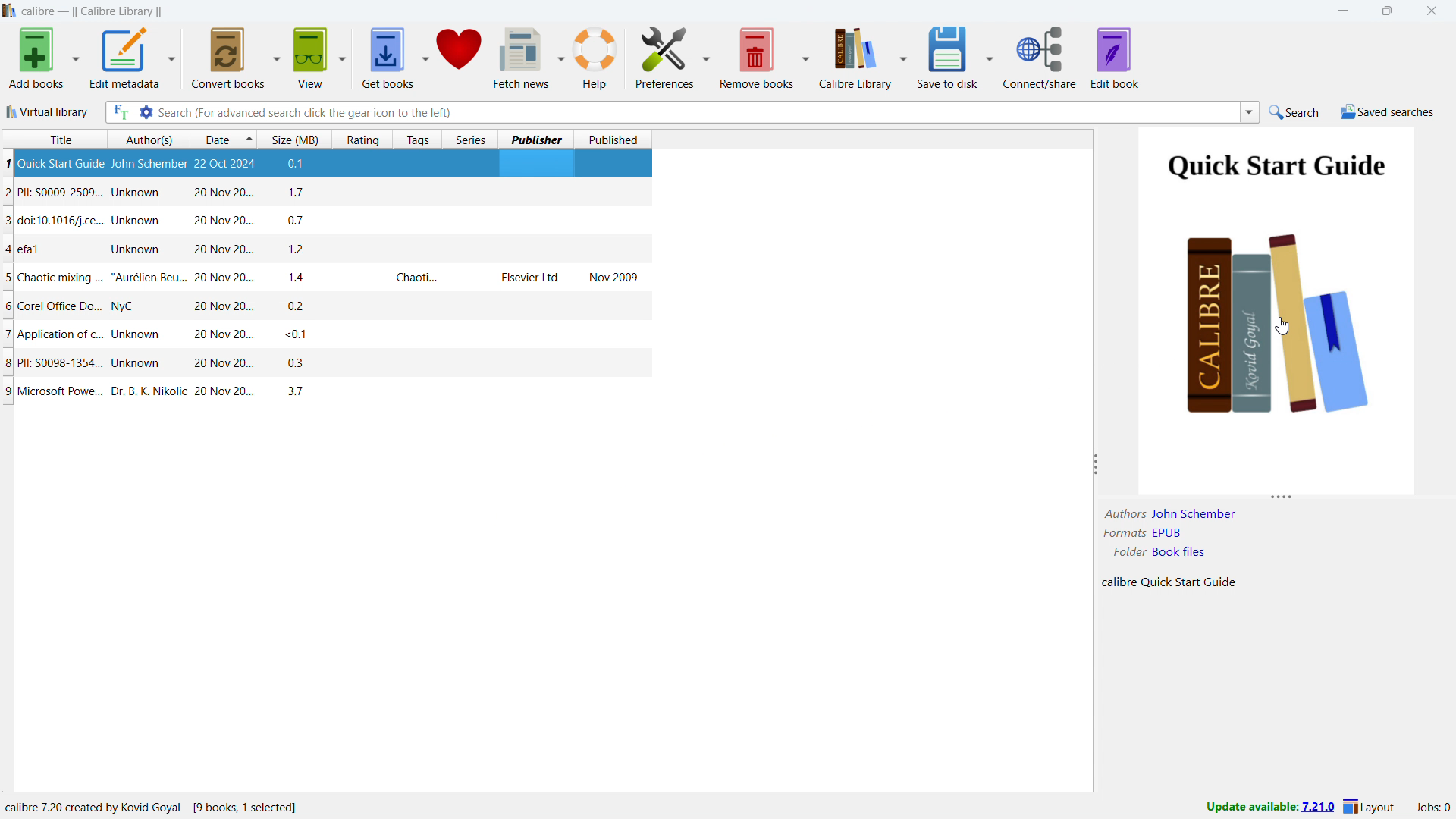  Describe the element at coordinates (276, 57) in the screenshot. I see `convert books options` at that location.